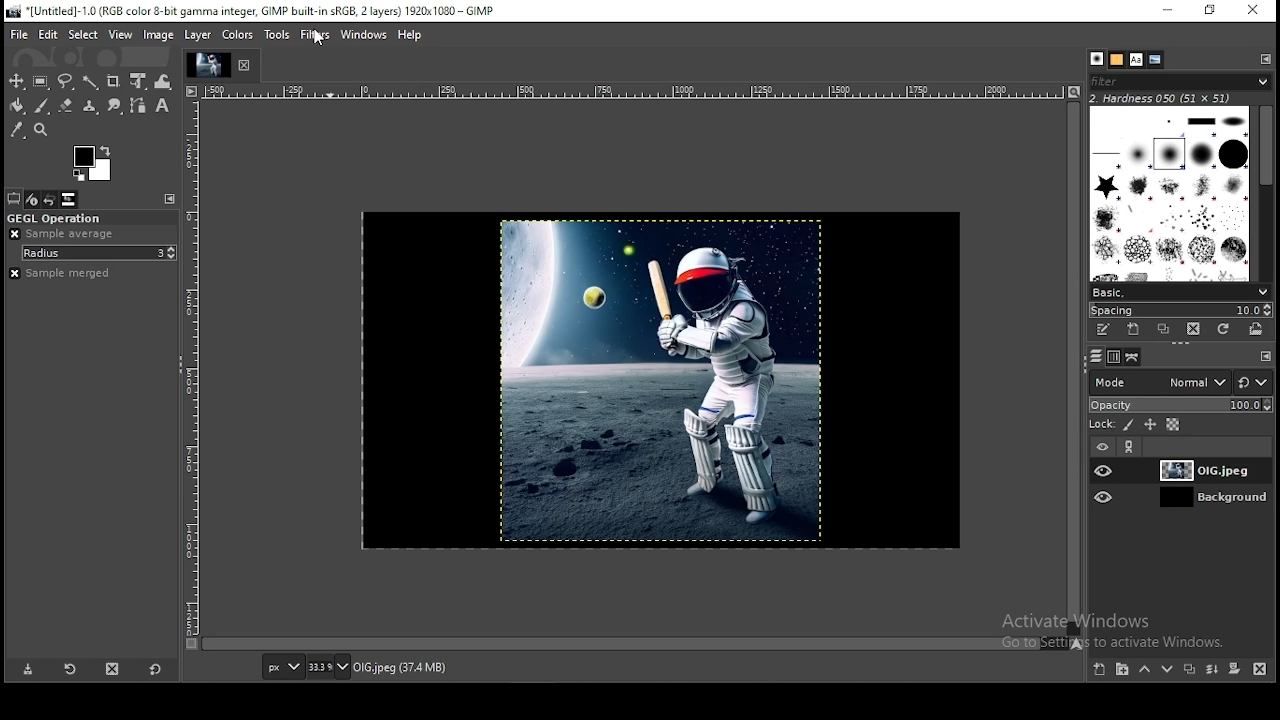  Describe the element at coordinates (1104, 332) in the screenshot. I see `edit this brush` at that location.